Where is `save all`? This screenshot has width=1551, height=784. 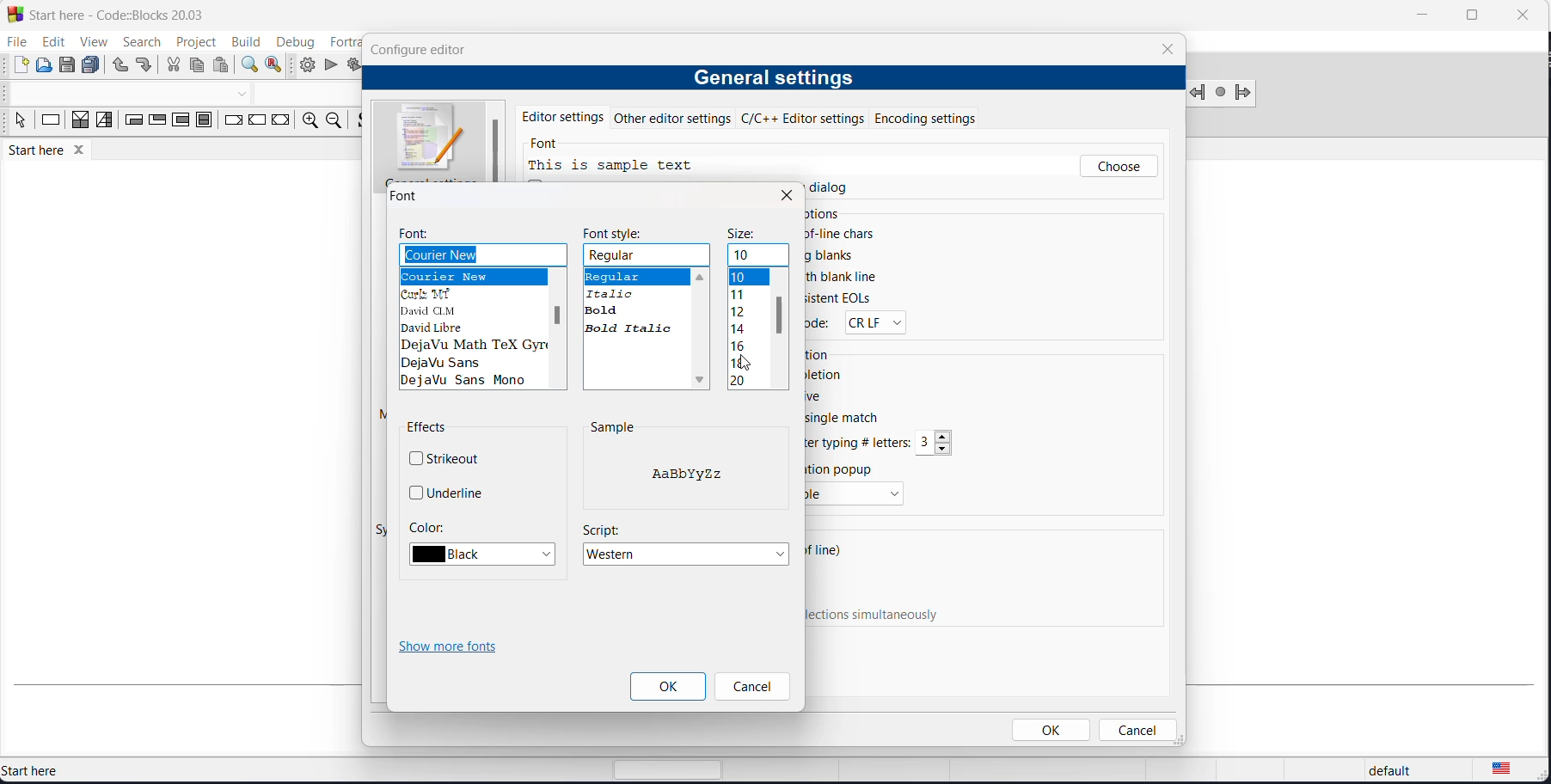 save all is located at coordinates (94, 65).